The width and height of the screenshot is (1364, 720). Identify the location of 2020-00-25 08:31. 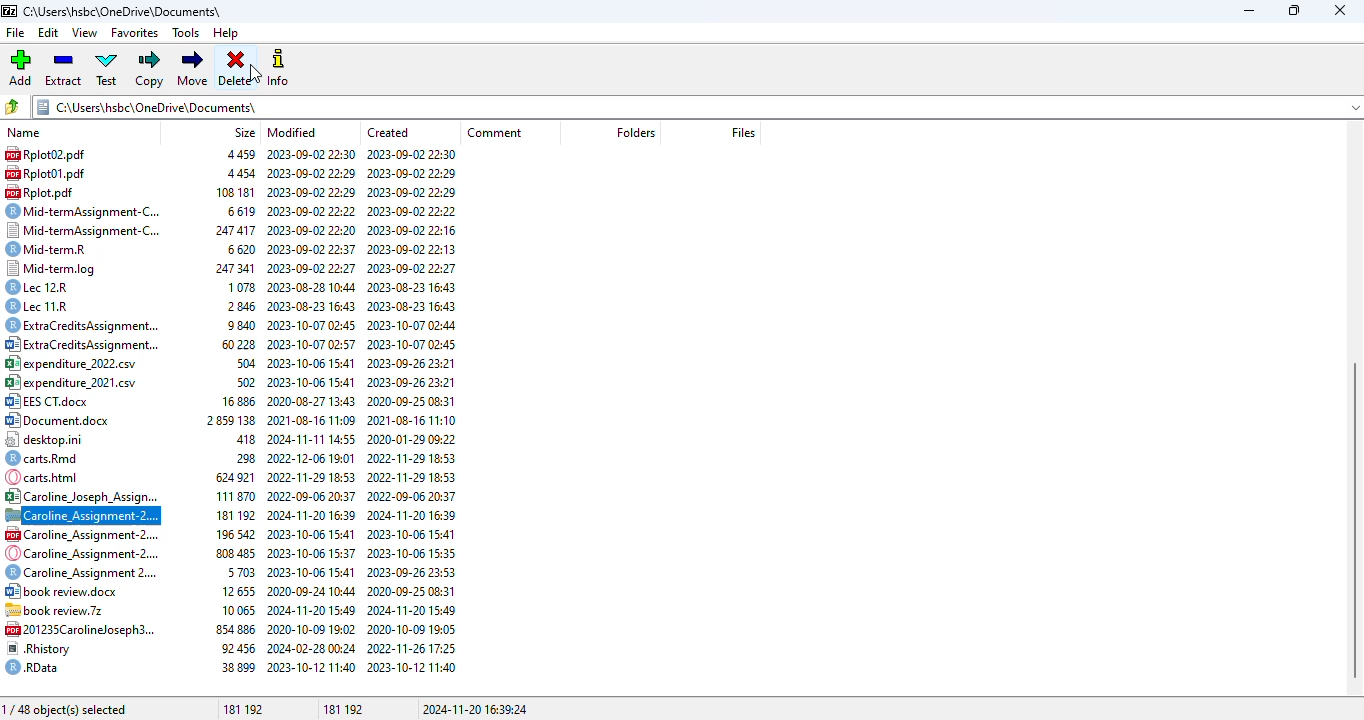
(412, 589).